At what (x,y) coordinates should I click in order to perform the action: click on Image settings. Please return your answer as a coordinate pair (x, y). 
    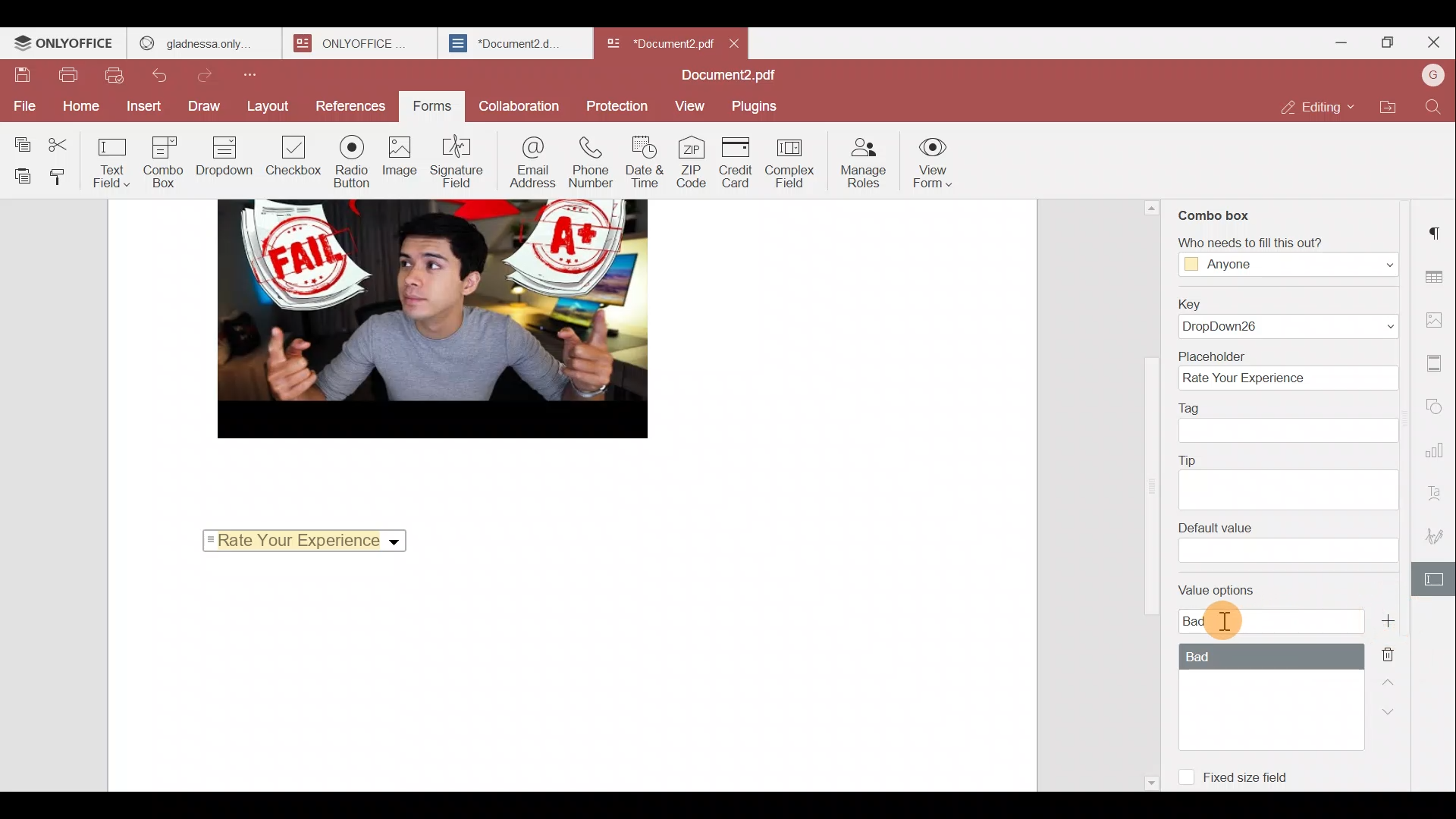
    Looking at the image, I should click on (1437, 321).